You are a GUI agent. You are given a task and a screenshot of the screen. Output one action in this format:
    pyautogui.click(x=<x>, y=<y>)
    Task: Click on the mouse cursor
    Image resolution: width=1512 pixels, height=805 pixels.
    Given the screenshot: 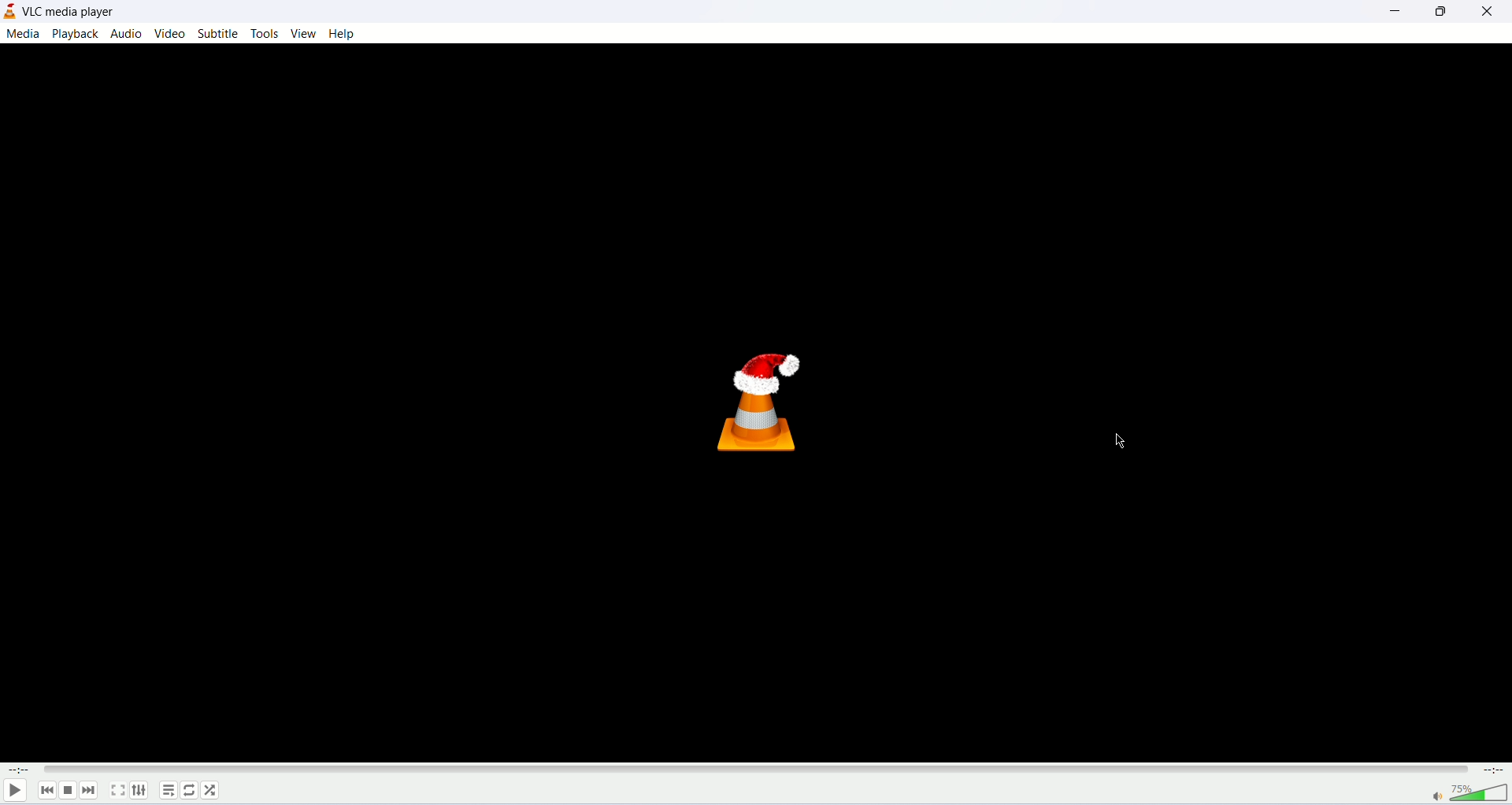 What is the action you would take?
    pyautogui.click(x=1119, y=443)
    